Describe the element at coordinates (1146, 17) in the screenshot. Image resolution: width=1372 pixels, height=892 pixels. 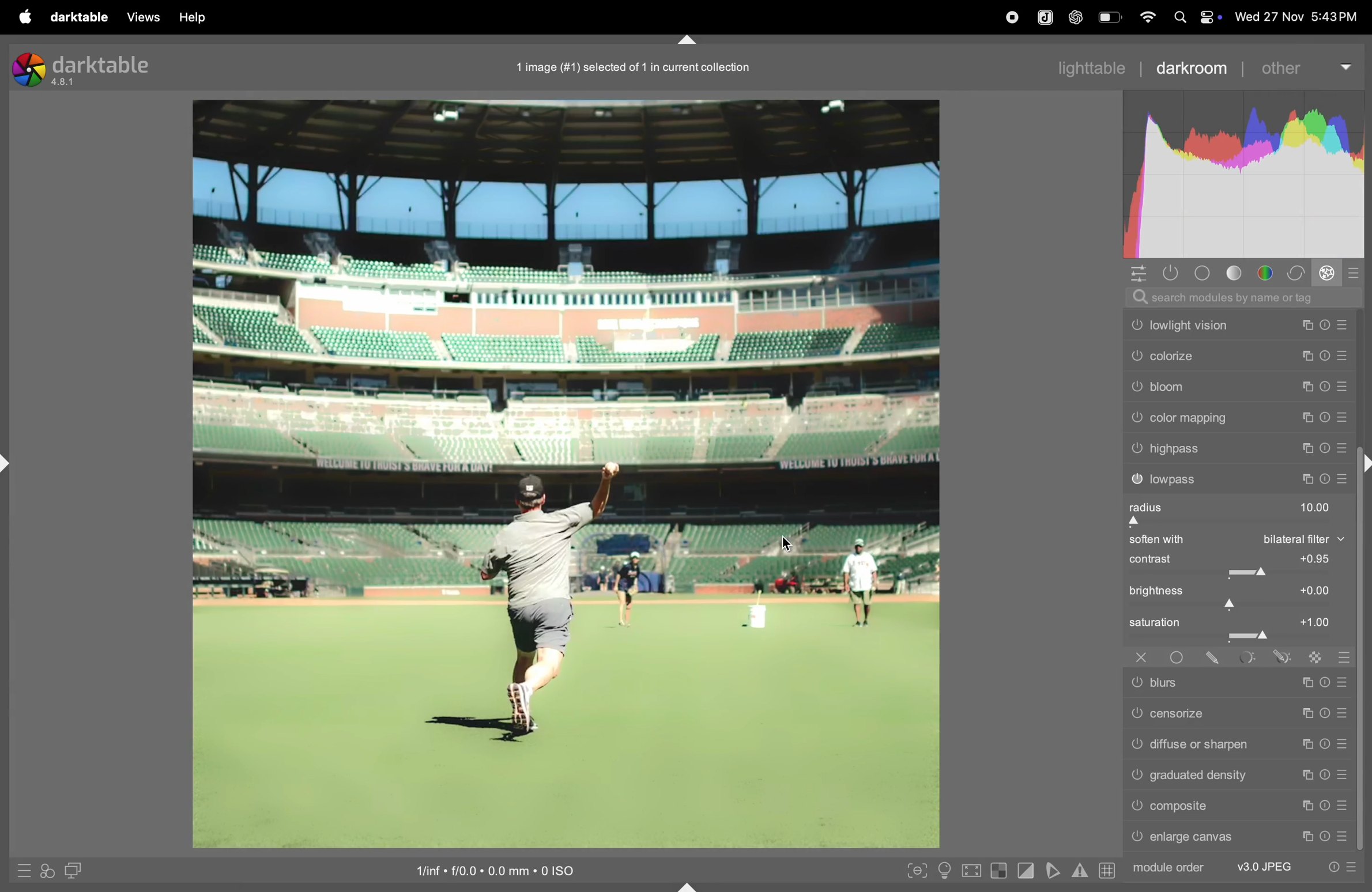
I see `wifi` at that location.